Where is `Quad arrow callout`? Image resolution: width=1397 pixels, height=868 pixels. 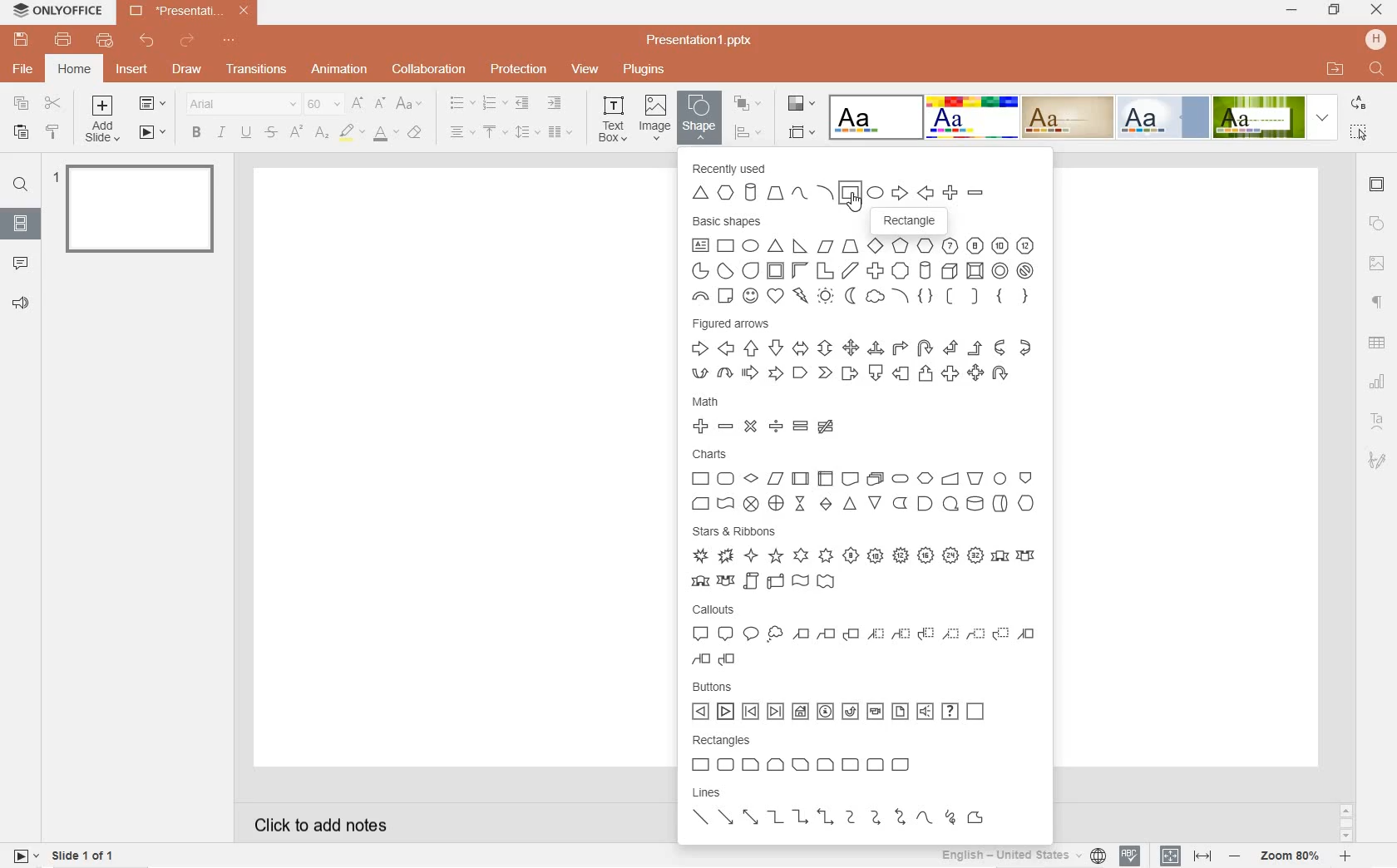
Quad arrow callout is located at coordinates (976, 373).